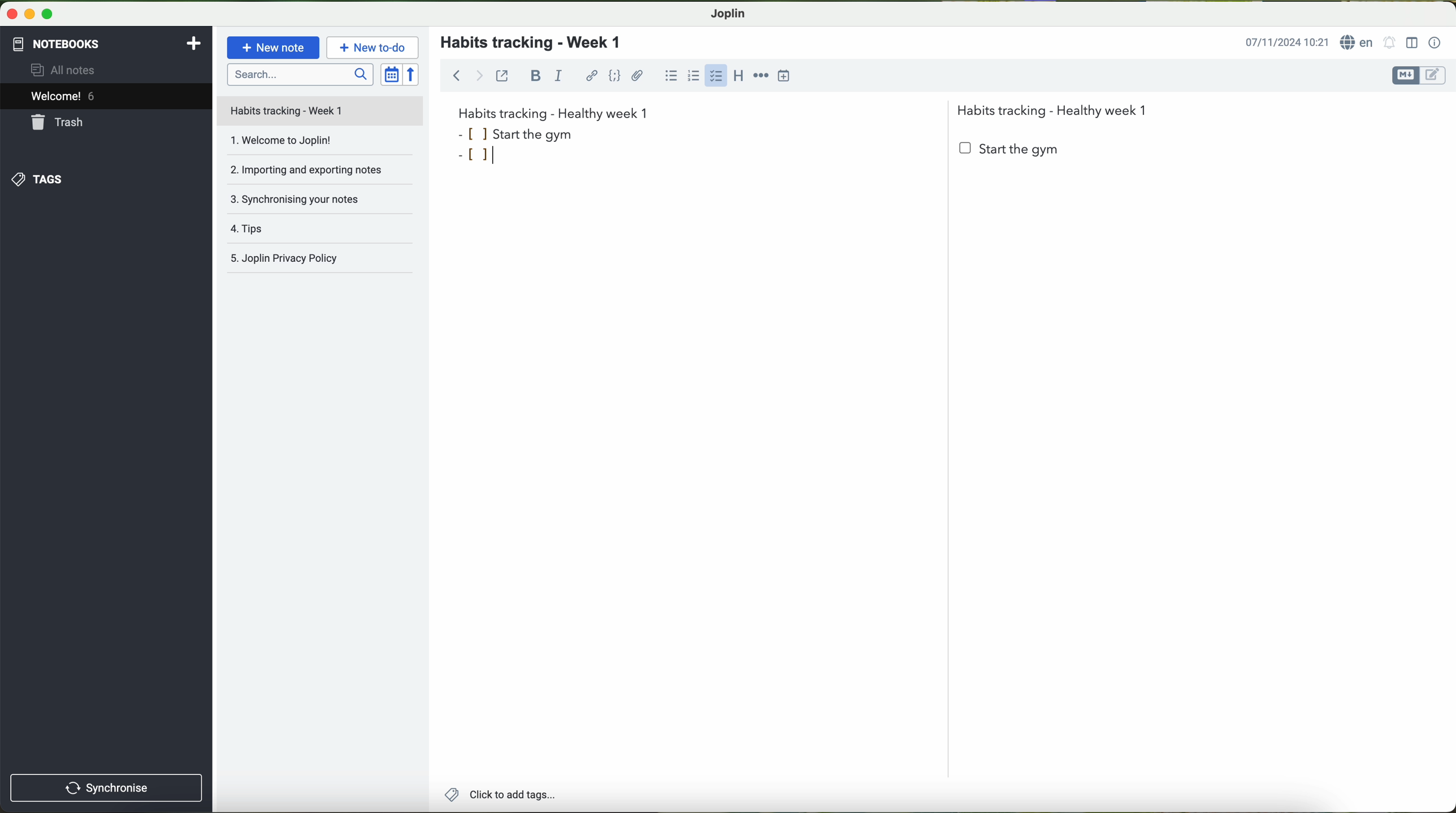 This screenshot has width=1456, height=813. Describe the element at coordinates (1057, 108) in the screenshot. I see `Habits tracking - Healthy week 1` at that location.